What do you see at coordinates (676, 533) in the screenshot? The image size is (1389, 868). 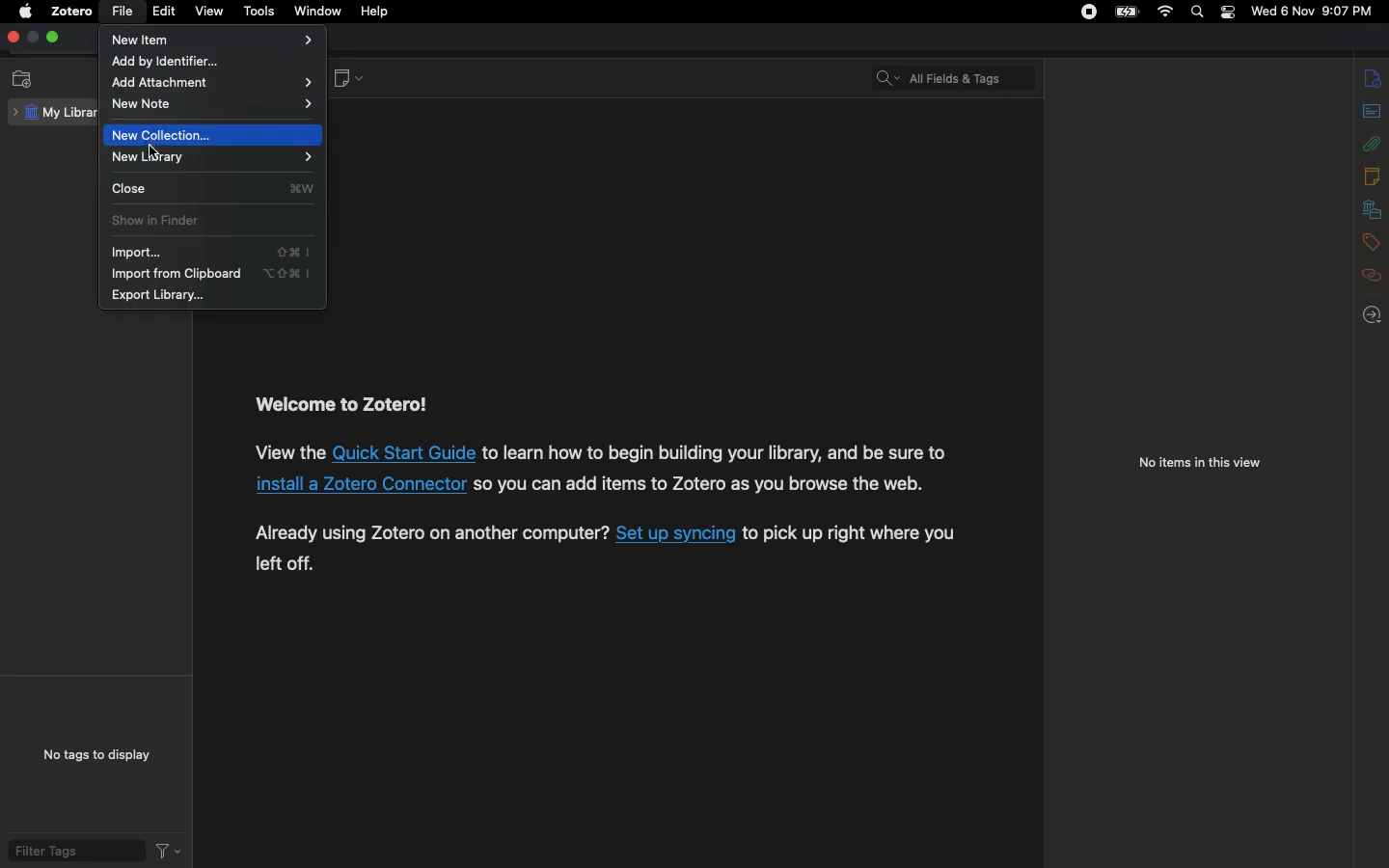 I see `Set up syncing` at bounding box center [676, 533].